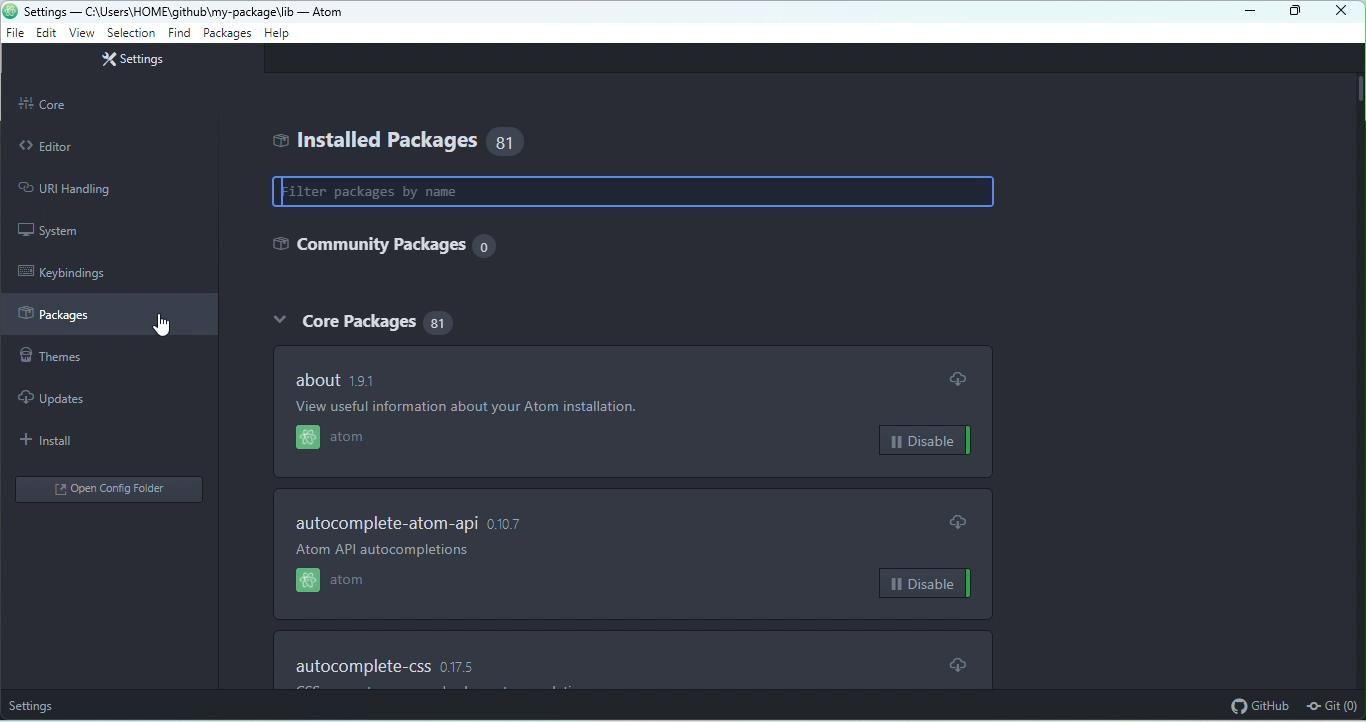  What do you see at coordinates (62, 231) in the screenshot?
I see `system` at bounding box center [62, 231].